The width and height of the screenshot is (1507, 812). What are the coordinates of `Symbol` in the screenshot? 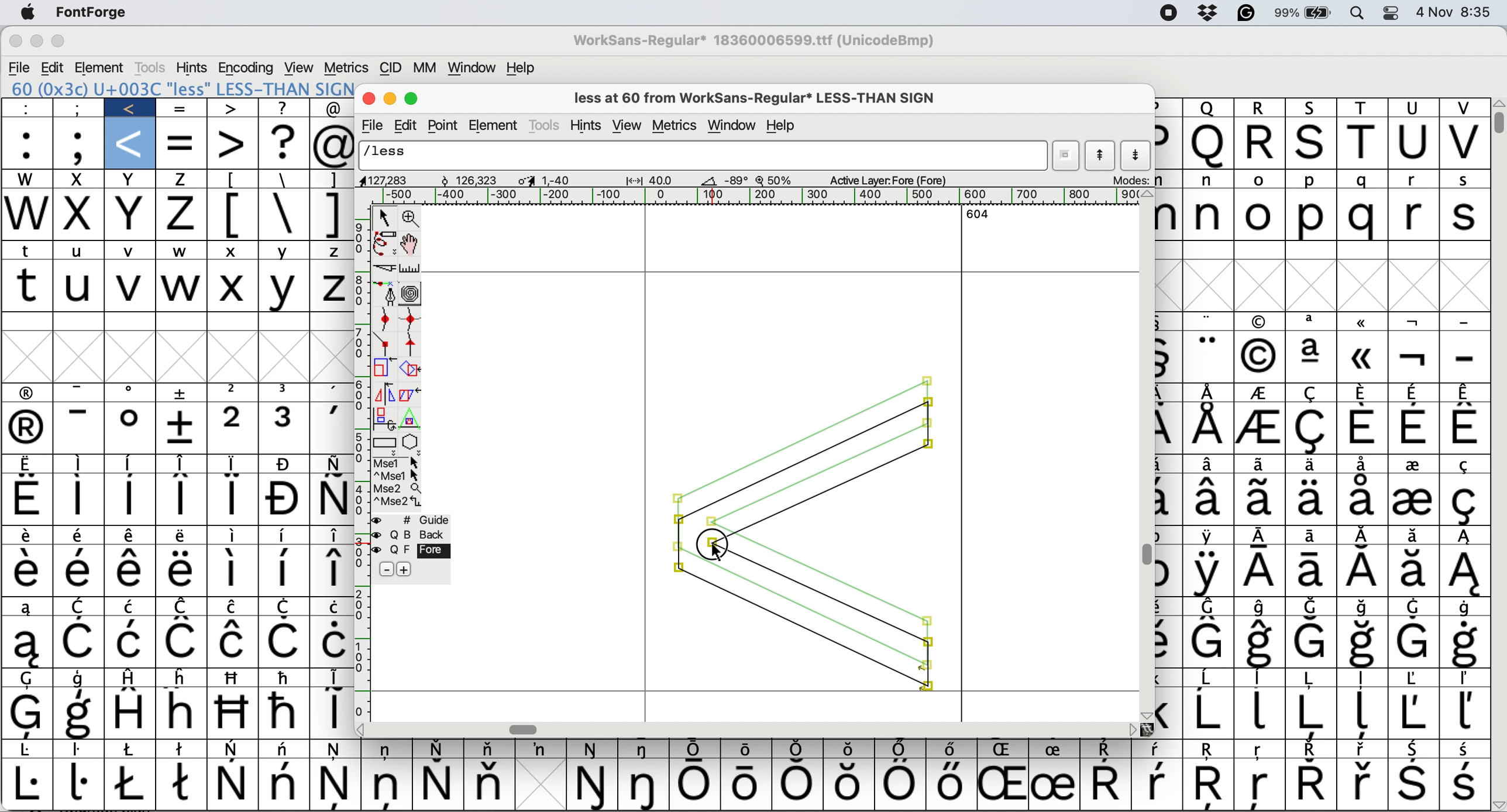 It's located at (131, 463).